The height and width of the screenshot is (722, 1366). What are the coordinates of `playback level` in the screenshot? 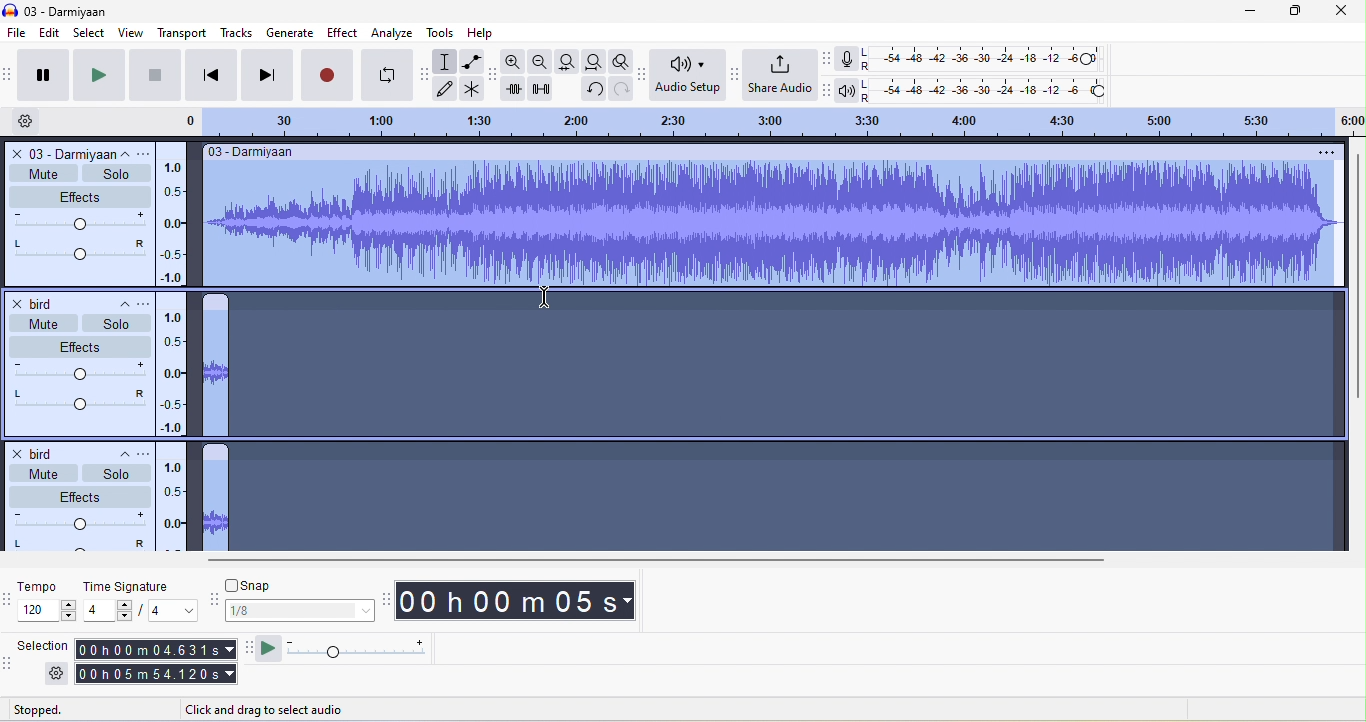 It's located at (988, 92).